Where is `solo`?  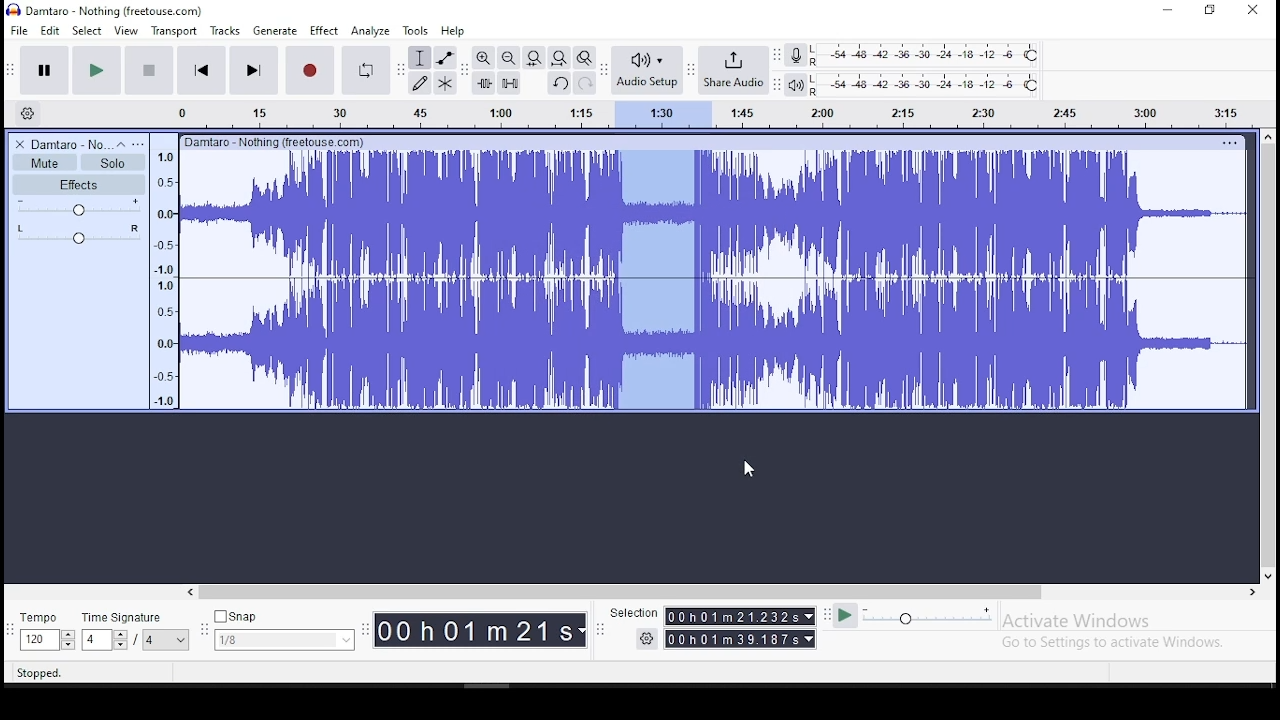
solo is located at coordinates (113, 163).